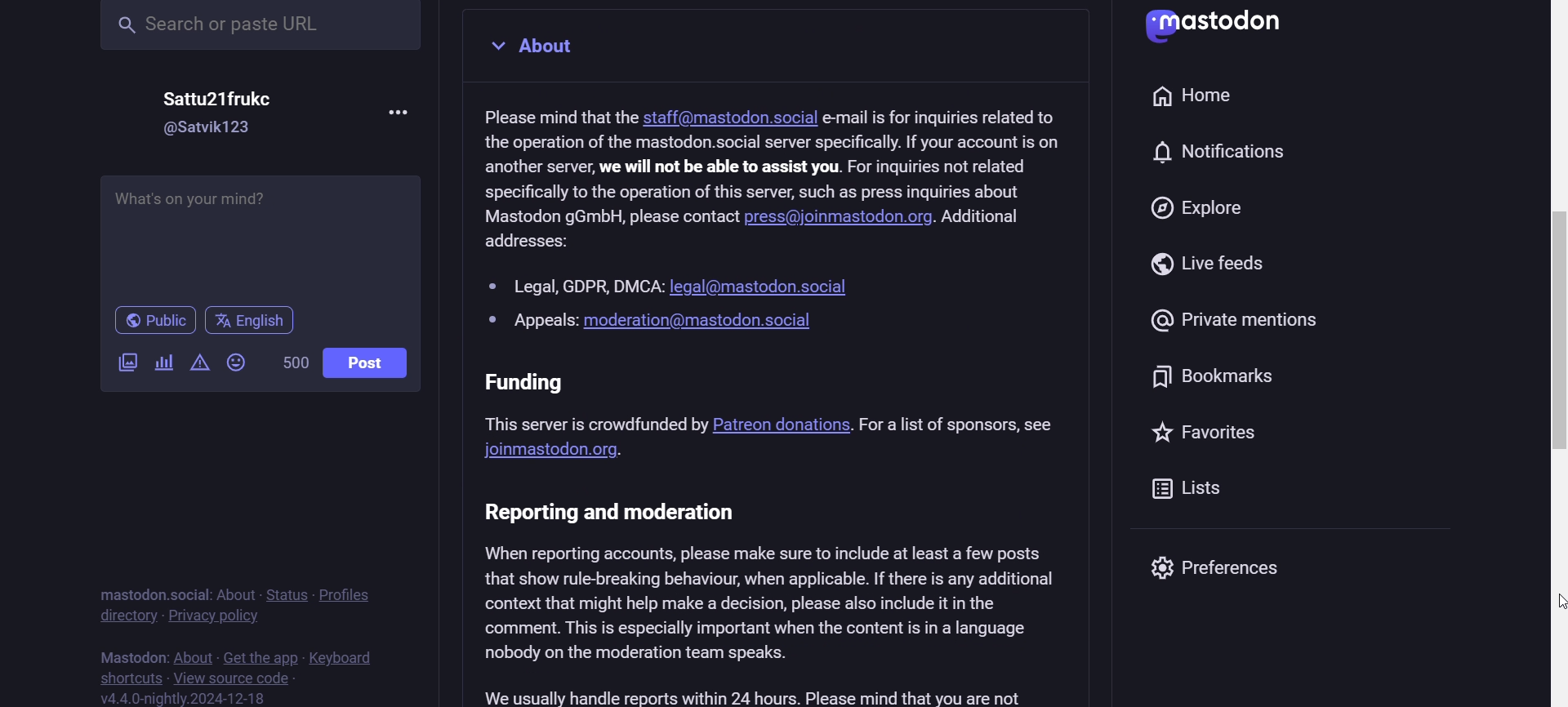 The width and height of the screenshot is (1568, 707). I want to click on legal@mastodon.social, so click(760, 286).